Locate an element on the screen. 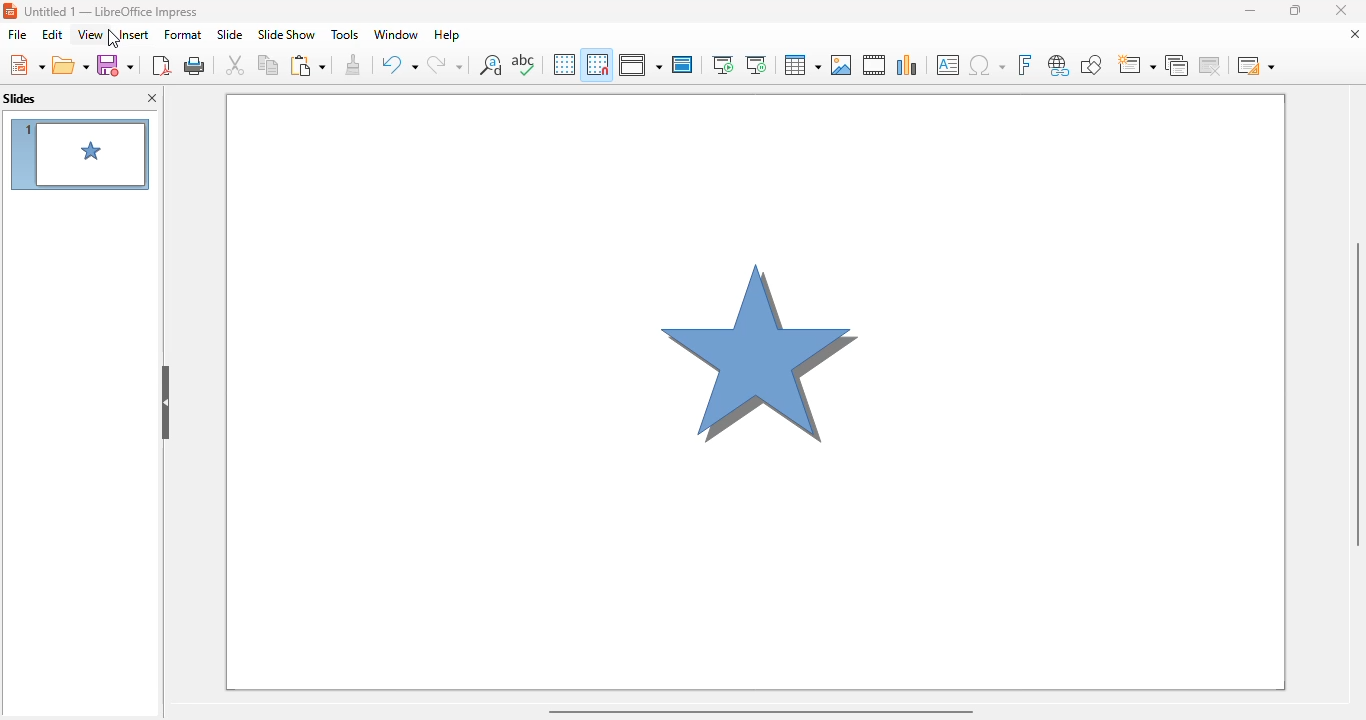  insert text box is located at coordinates (949, 65).